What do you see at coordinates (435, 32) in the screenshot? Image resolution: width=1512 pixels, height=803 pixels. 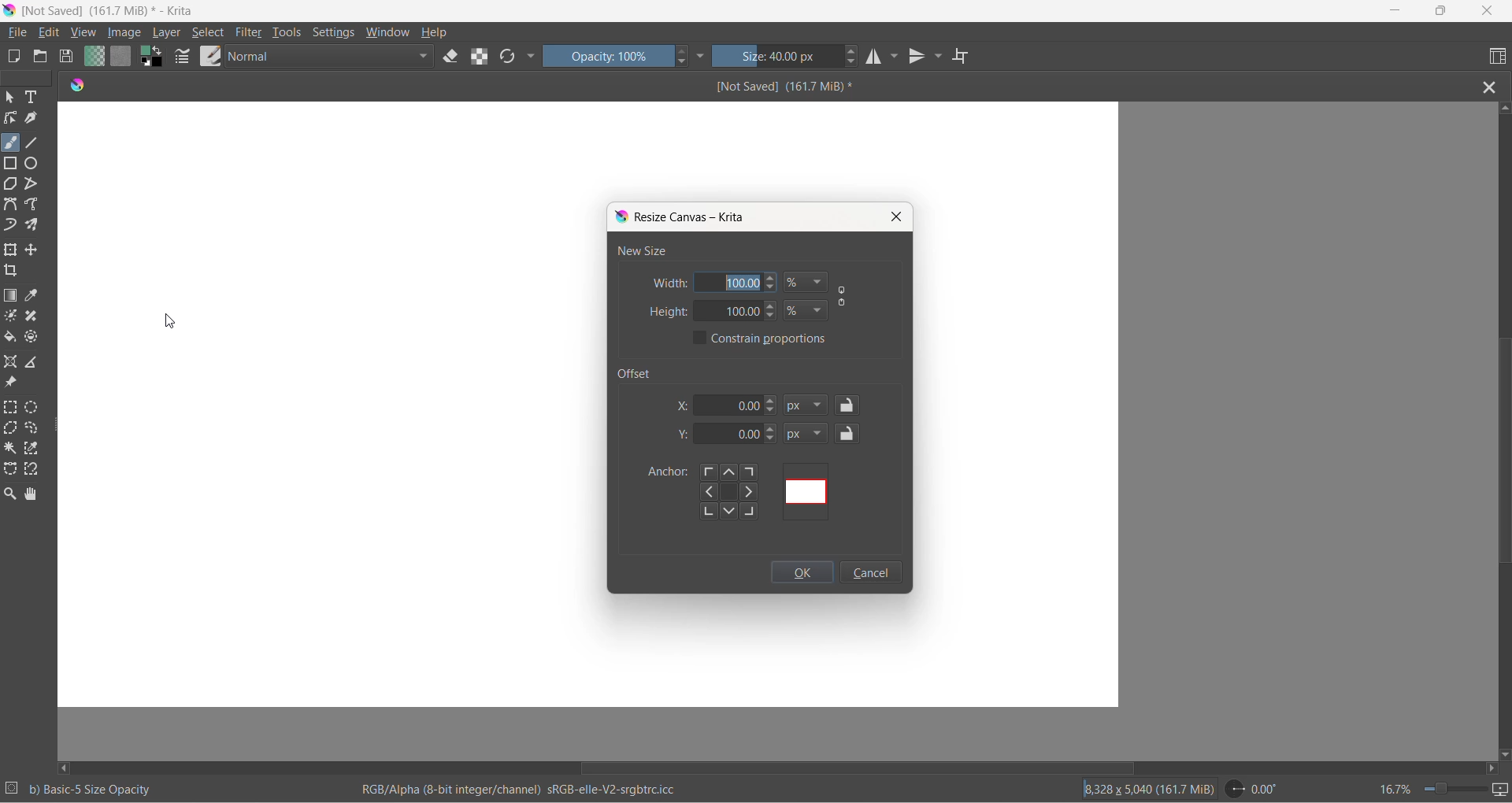 I see `help` at bounding box center [435, 32].